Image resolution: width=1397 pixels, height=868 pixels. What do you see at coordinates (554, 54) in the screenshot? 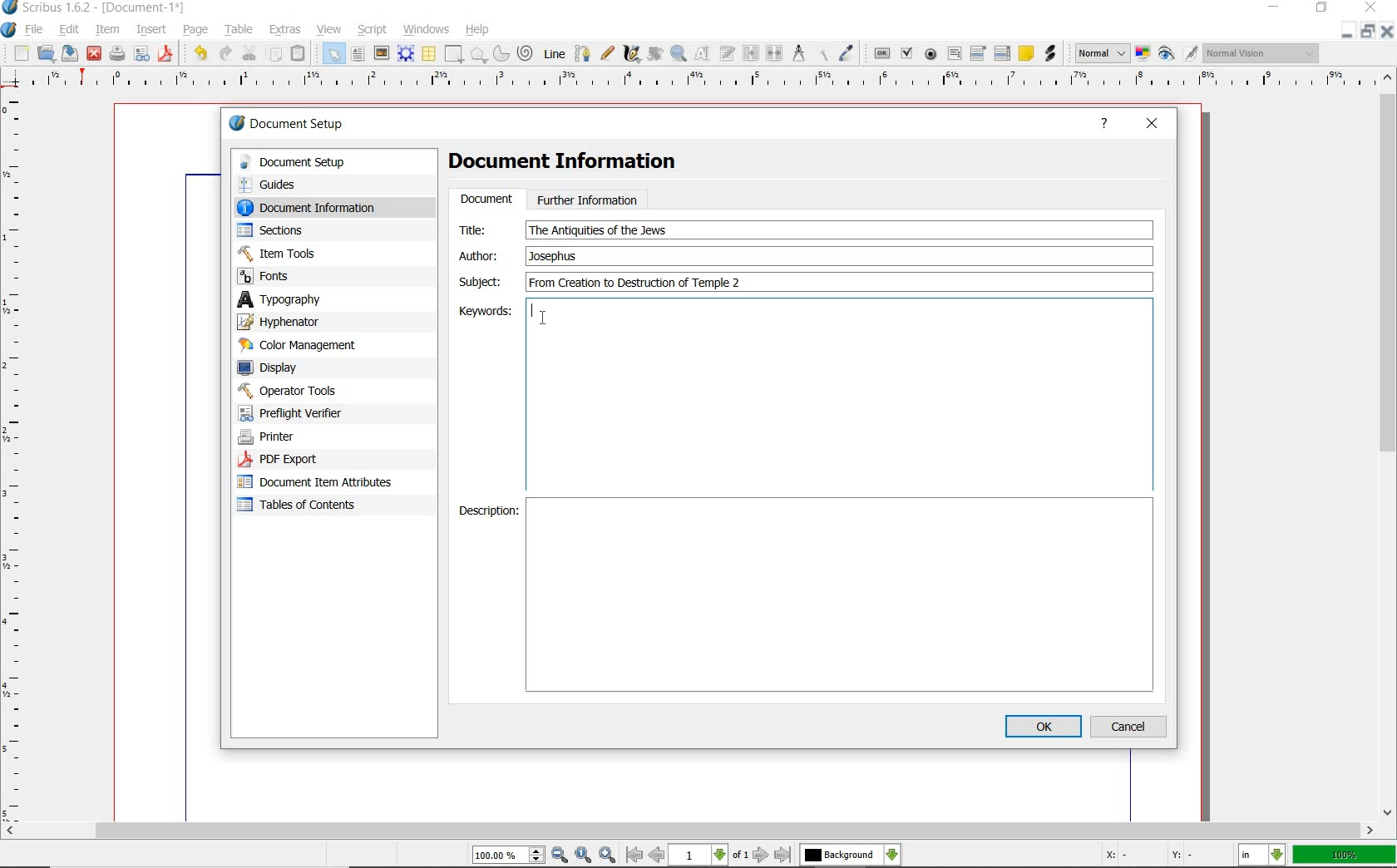
I see `Line` at bounding box center [554, 54].